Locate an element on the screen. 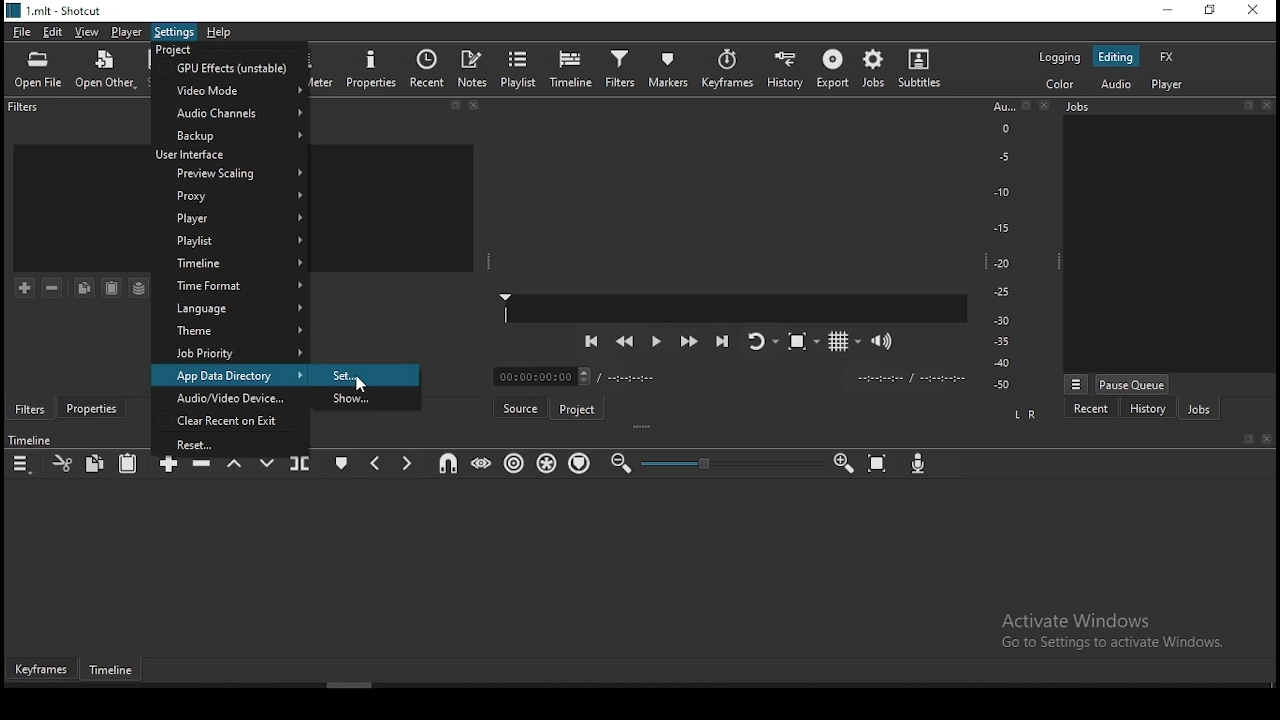  theme is located at coordinates (230, 332).